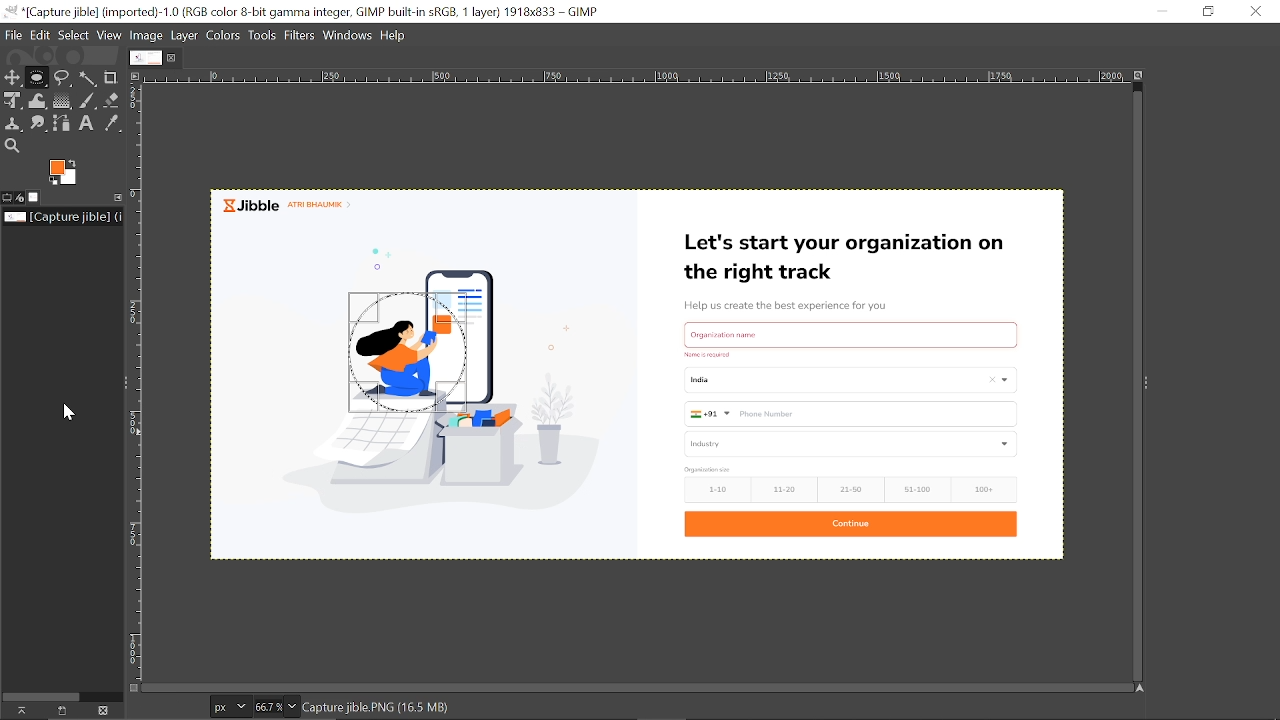 Image resolution: width=1280 pixels, height=720 pixels. What do you see at coordinates (106, 710) in the screenshot?
I see `Delete this image` at bounding box center [106, 710].